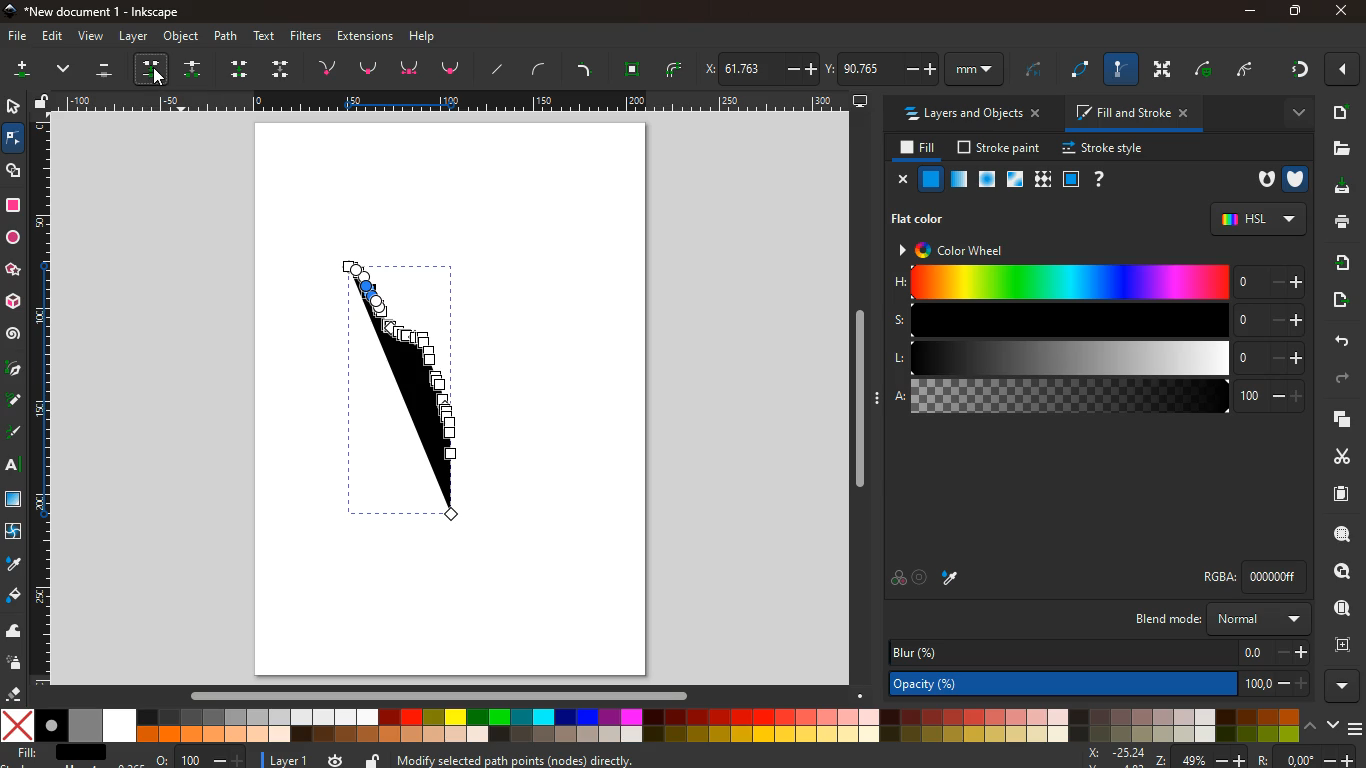 The image size is (1366, 768). Describe the element at coordinates (201, 756) in the screenshot. I see `zoom` at that location.